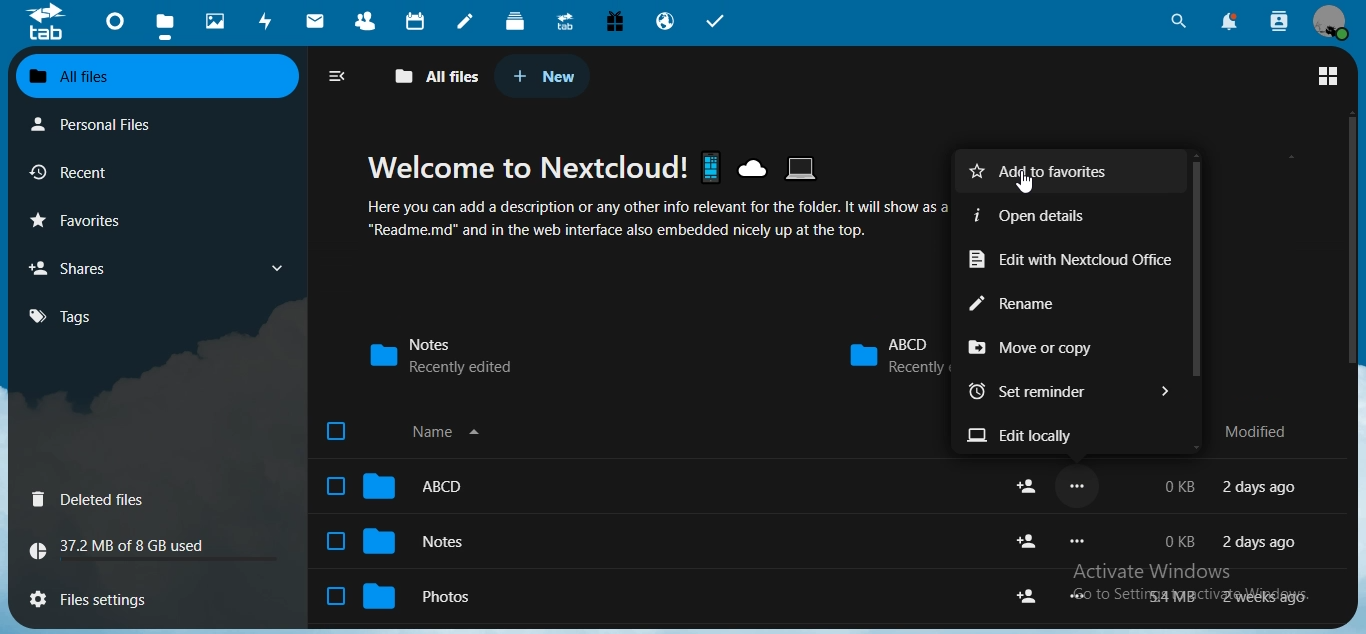  What do you see at coordinates (562, 20) in the screenshot?
I see `upgrade trial` at bounding box center [562, 20].